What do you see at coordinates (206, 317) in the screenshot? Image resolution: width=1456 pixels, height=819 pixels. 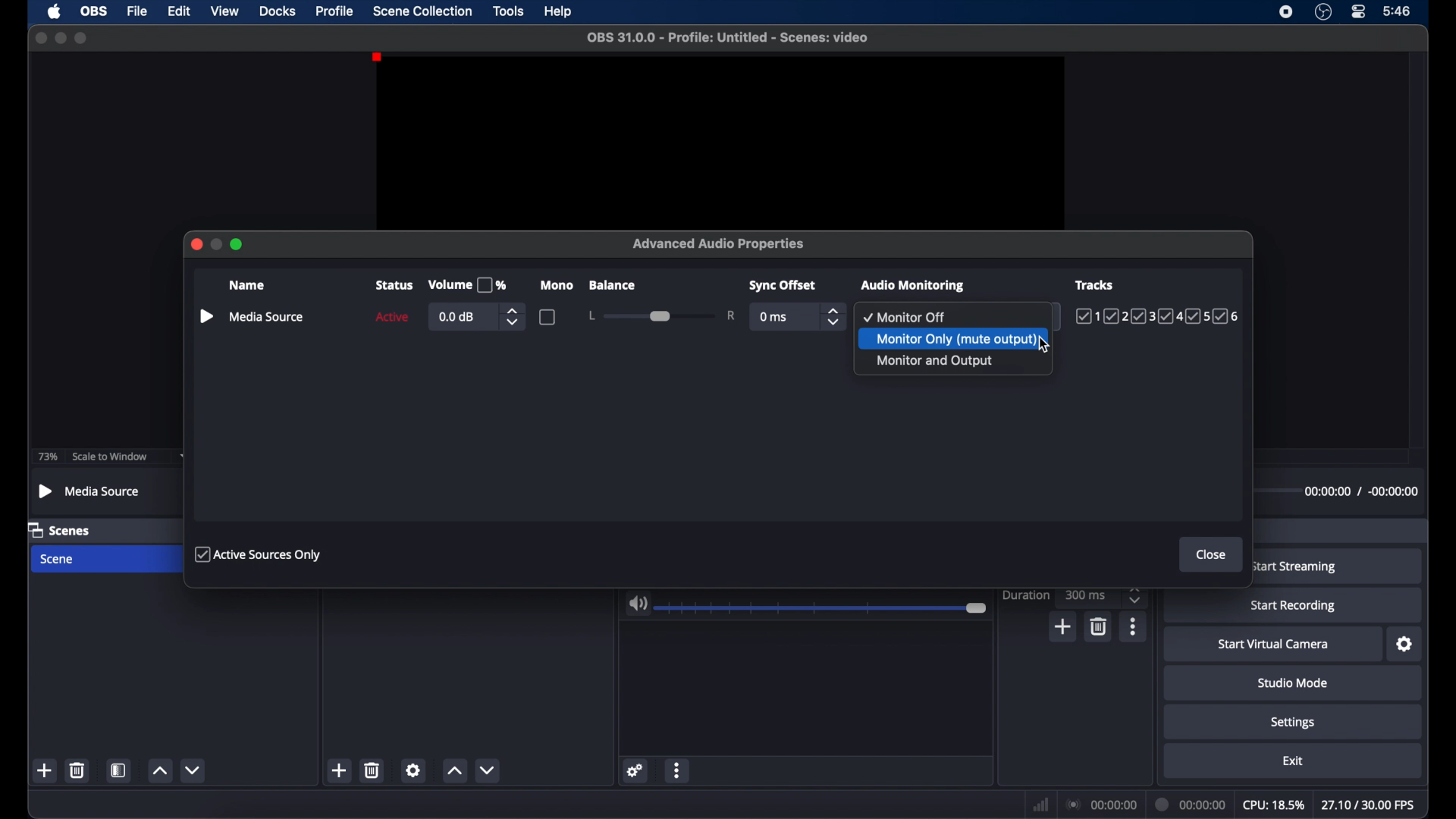 I see `sidebar` at bounding box center [206, 317].